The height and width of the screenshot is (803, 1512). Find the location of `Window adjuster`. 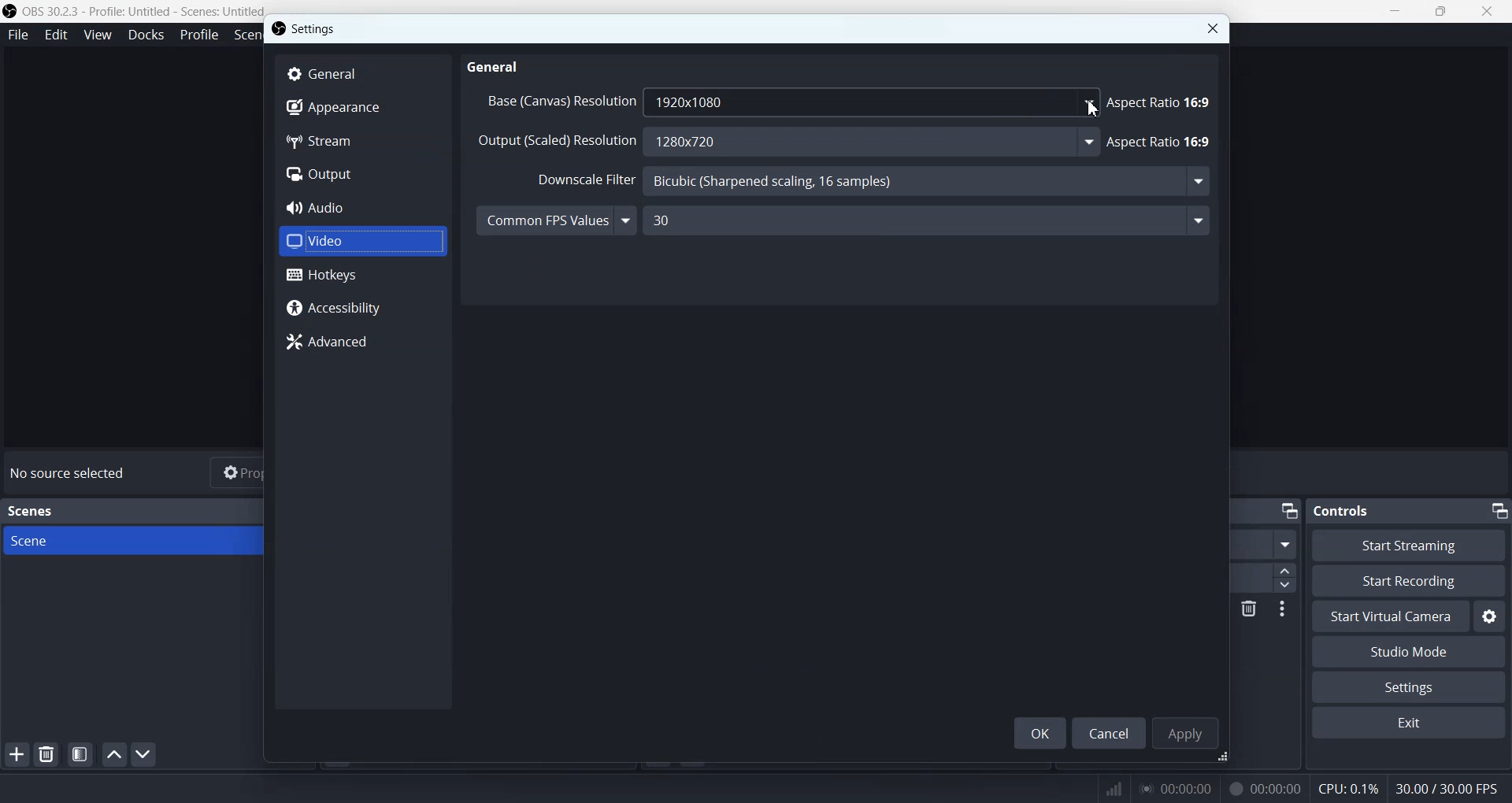

Window adjuster is located at coordinates (1226, 757).